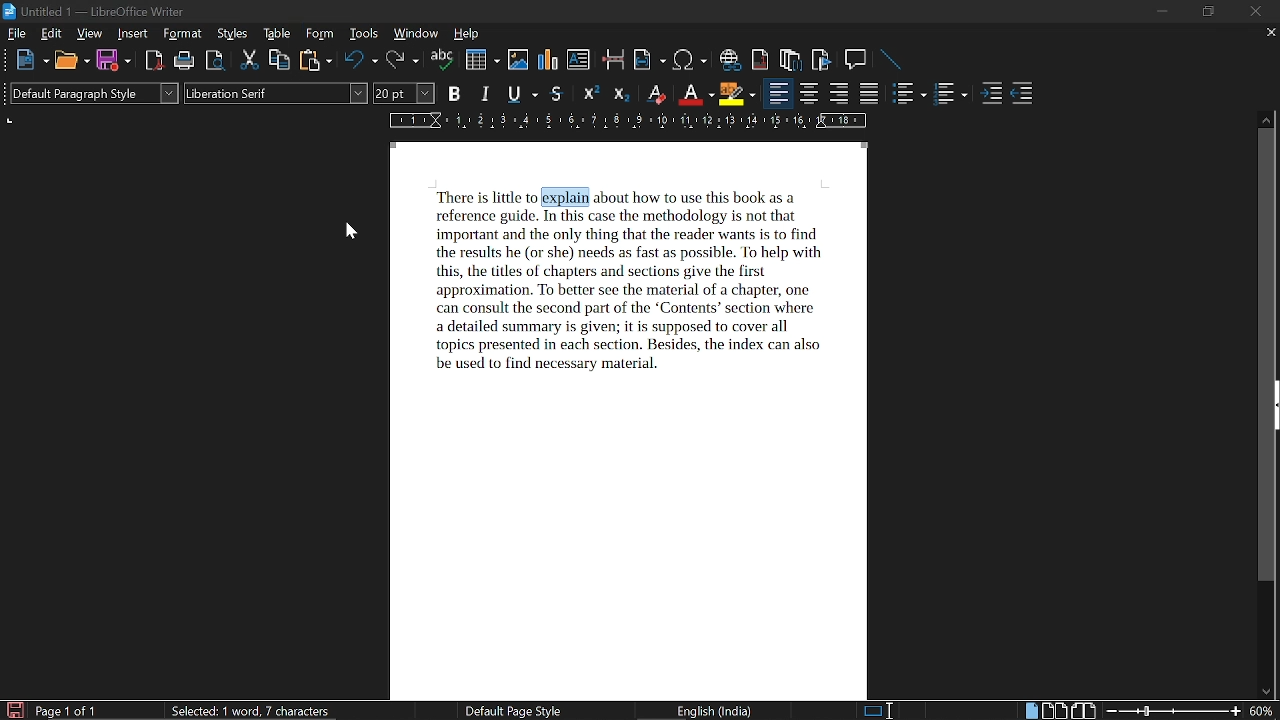  I want to click on redo, so click(402, 61).